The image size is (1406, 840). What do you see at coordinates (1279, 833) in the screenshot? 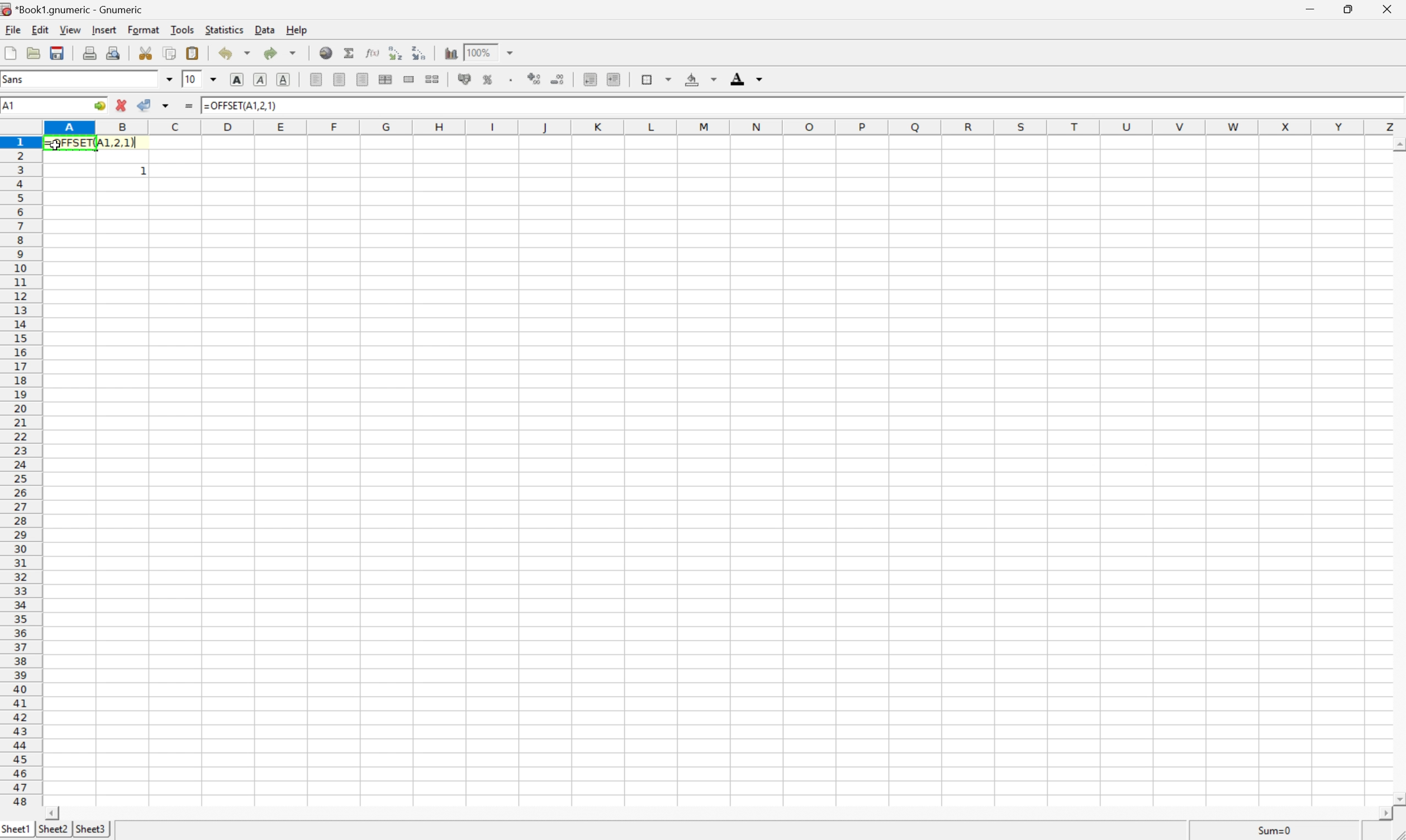
I see `sum=0` at bounding box center [1279, 833].